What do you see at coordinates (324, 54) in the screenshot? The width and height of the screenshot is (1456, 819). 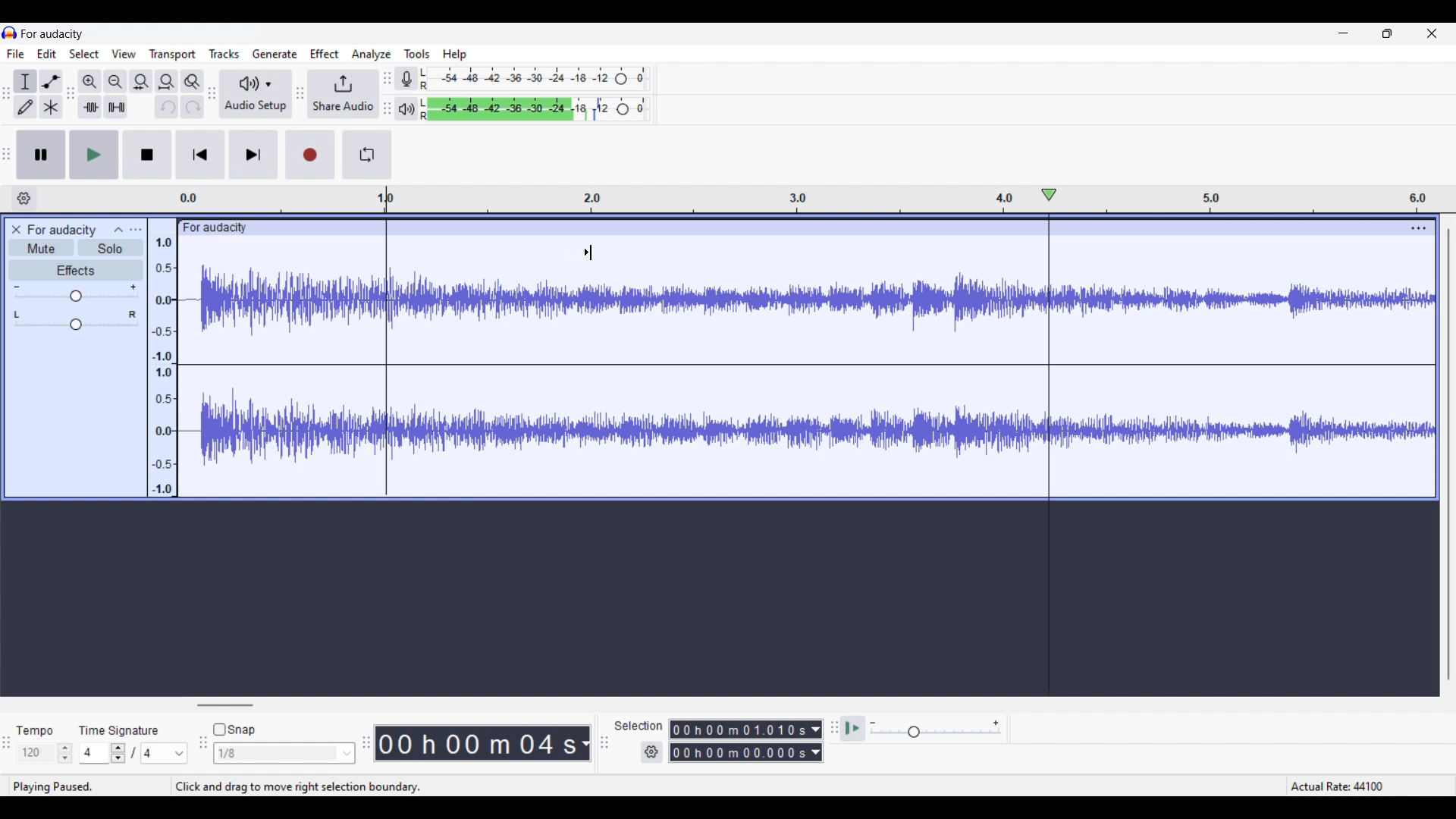 I see `Effect menu` at bounding box center [324, 54].